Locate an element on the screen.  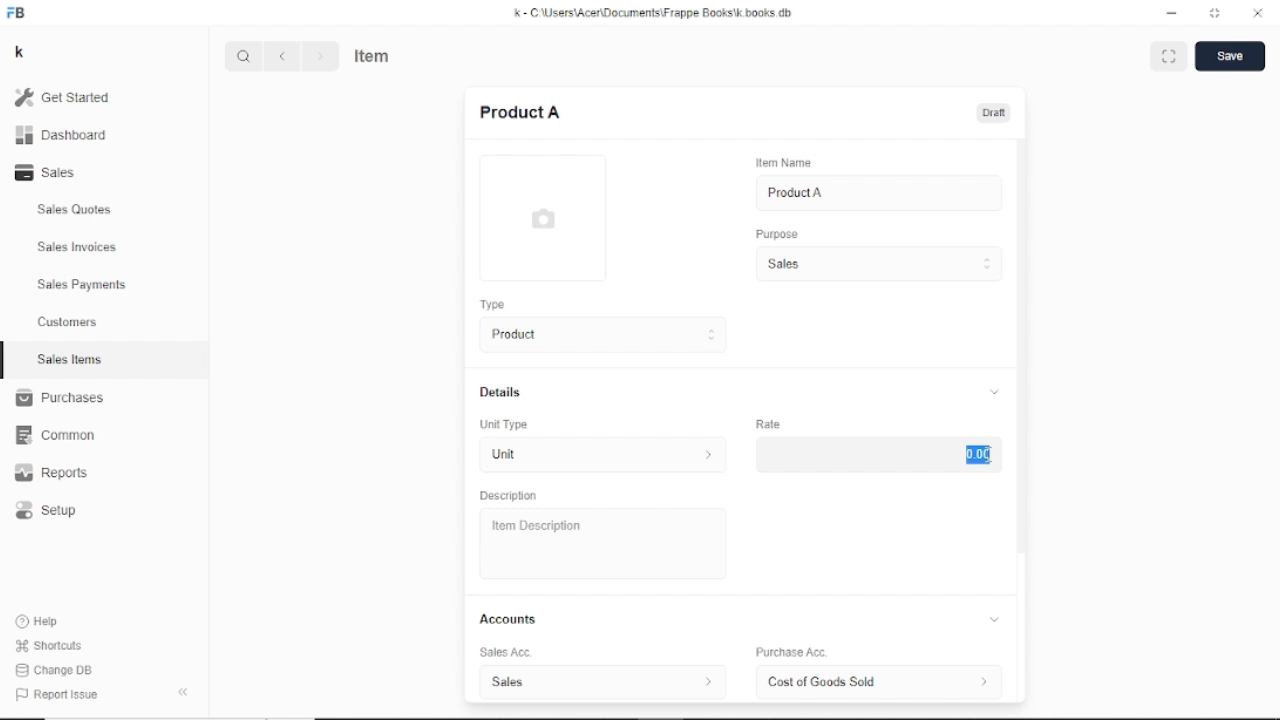
New Entry is located at coordinates (520, 112).